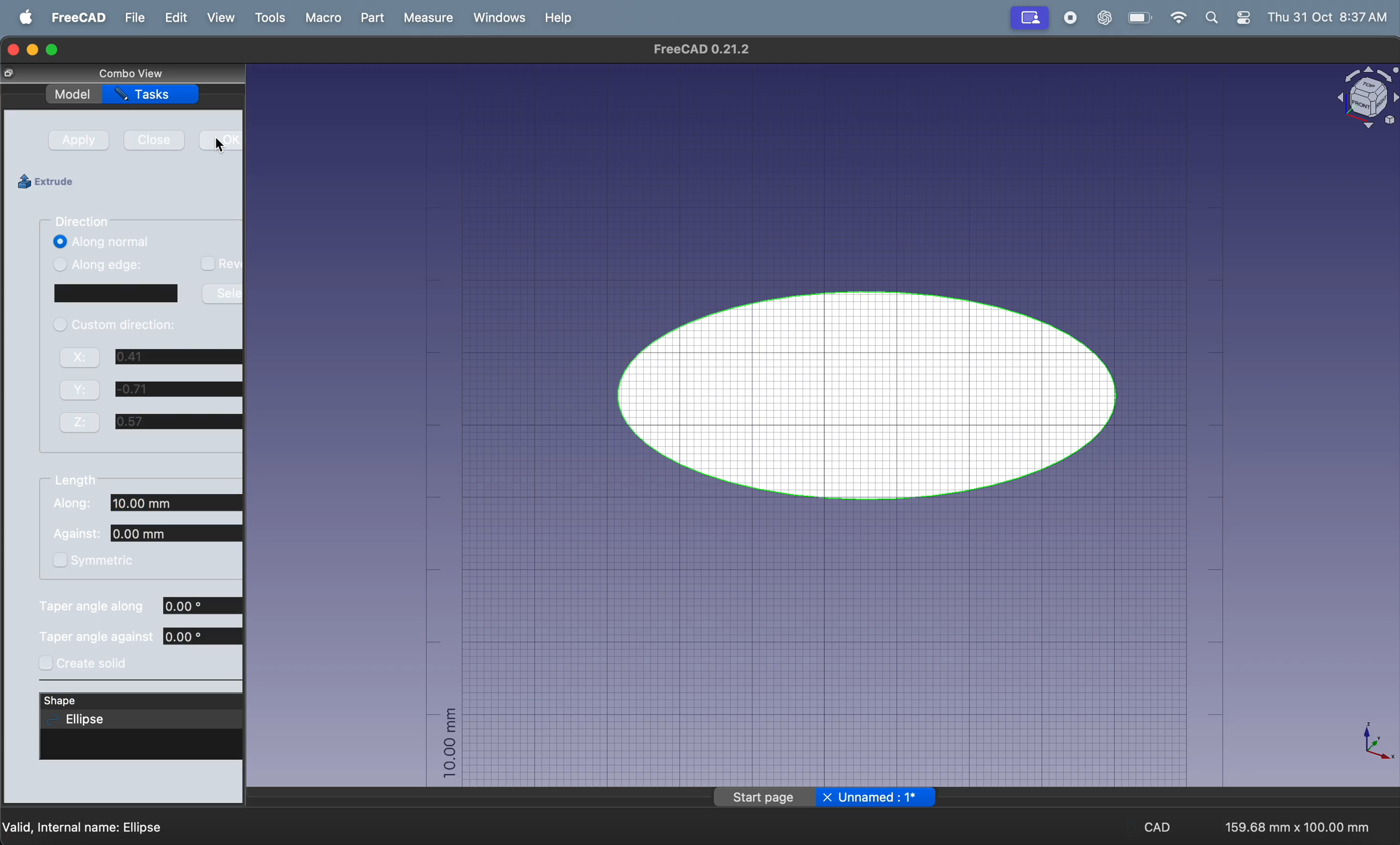  What do you see at coordinates (205, 606) in the screenshot?
I see `0.00 mm` at bounding box center [205, 606].